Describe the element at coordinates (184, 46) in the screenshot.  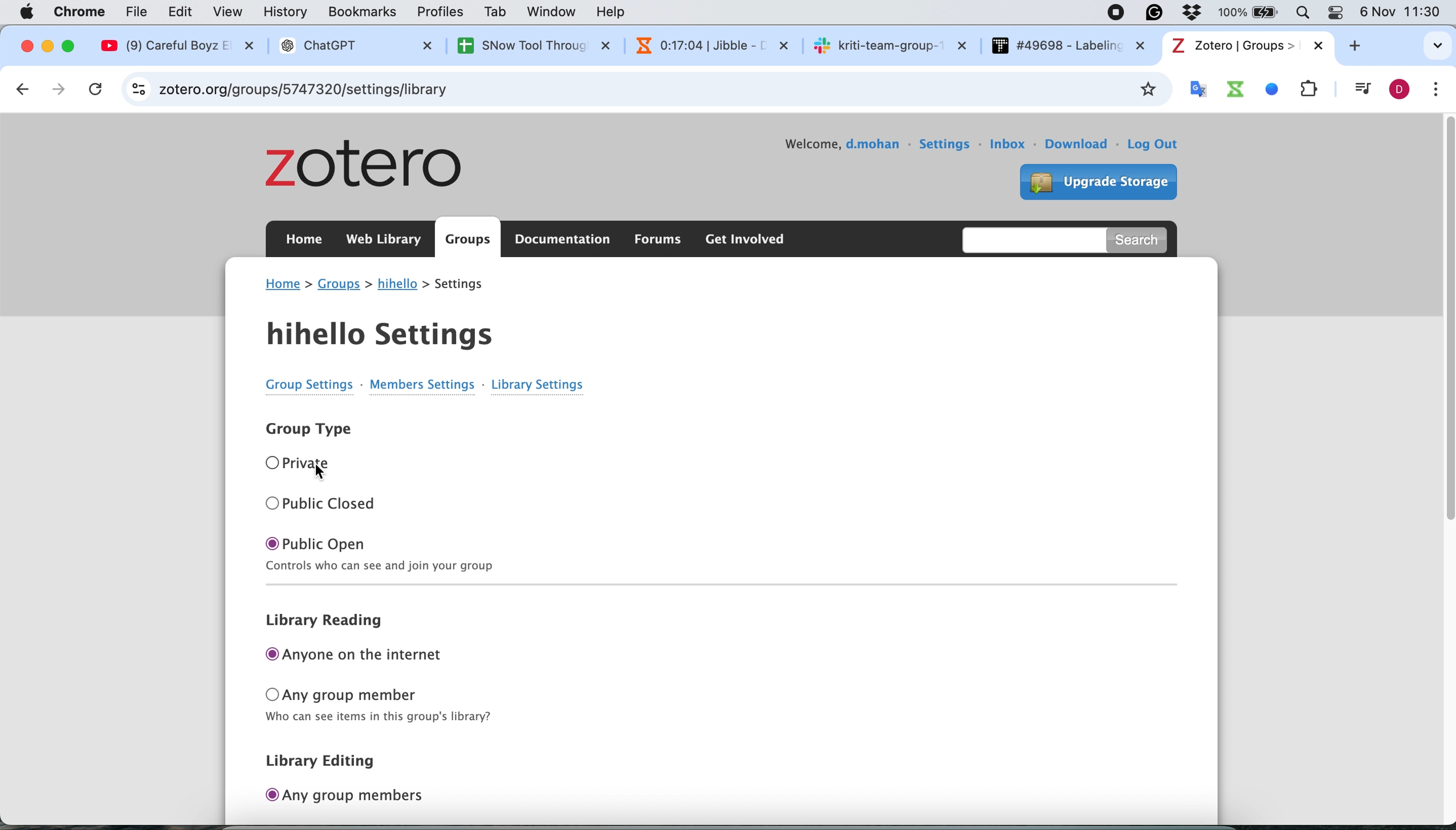
I see `@ (9) Careful Boyz EX` at that location.